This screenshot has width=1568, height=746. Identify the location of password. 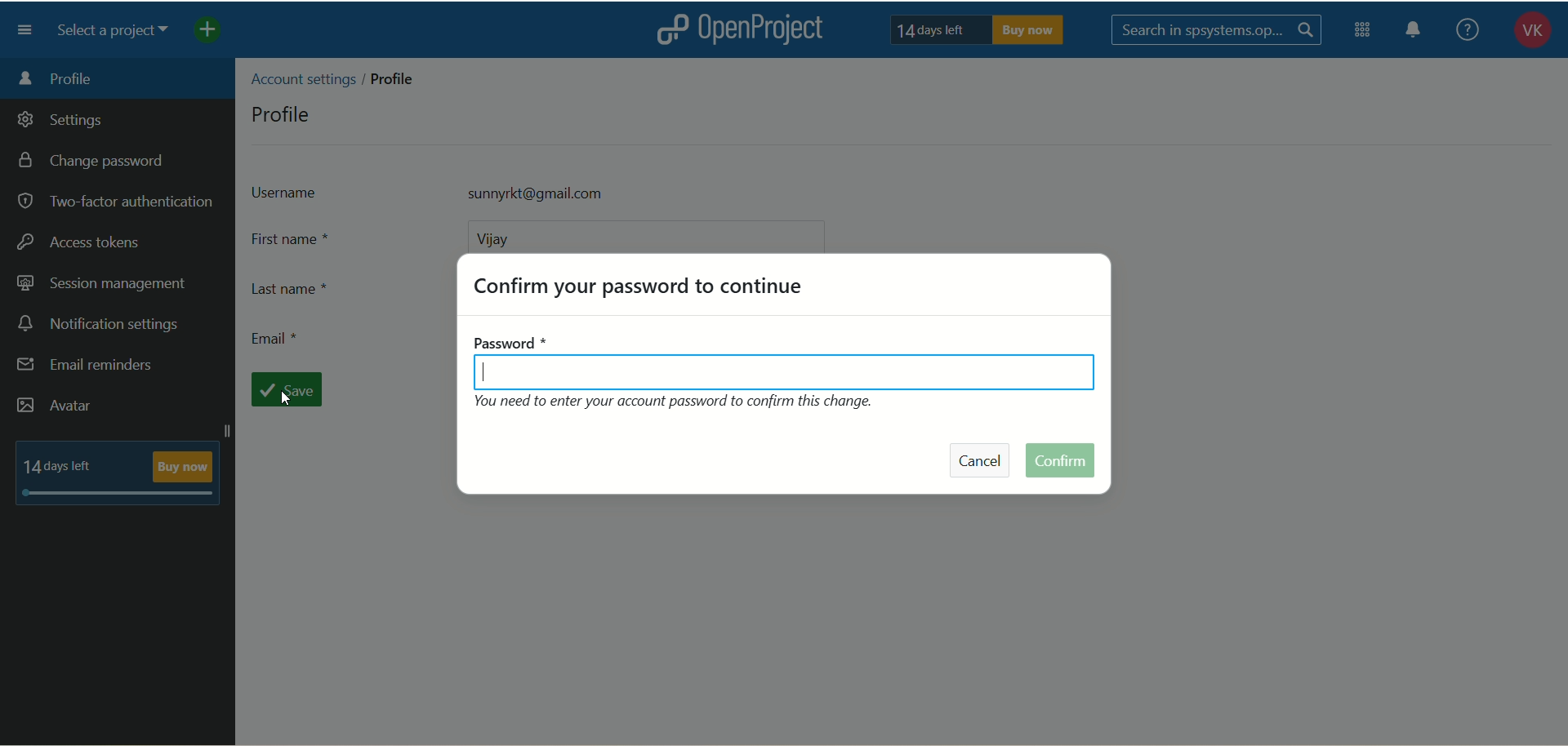
(785, 362).